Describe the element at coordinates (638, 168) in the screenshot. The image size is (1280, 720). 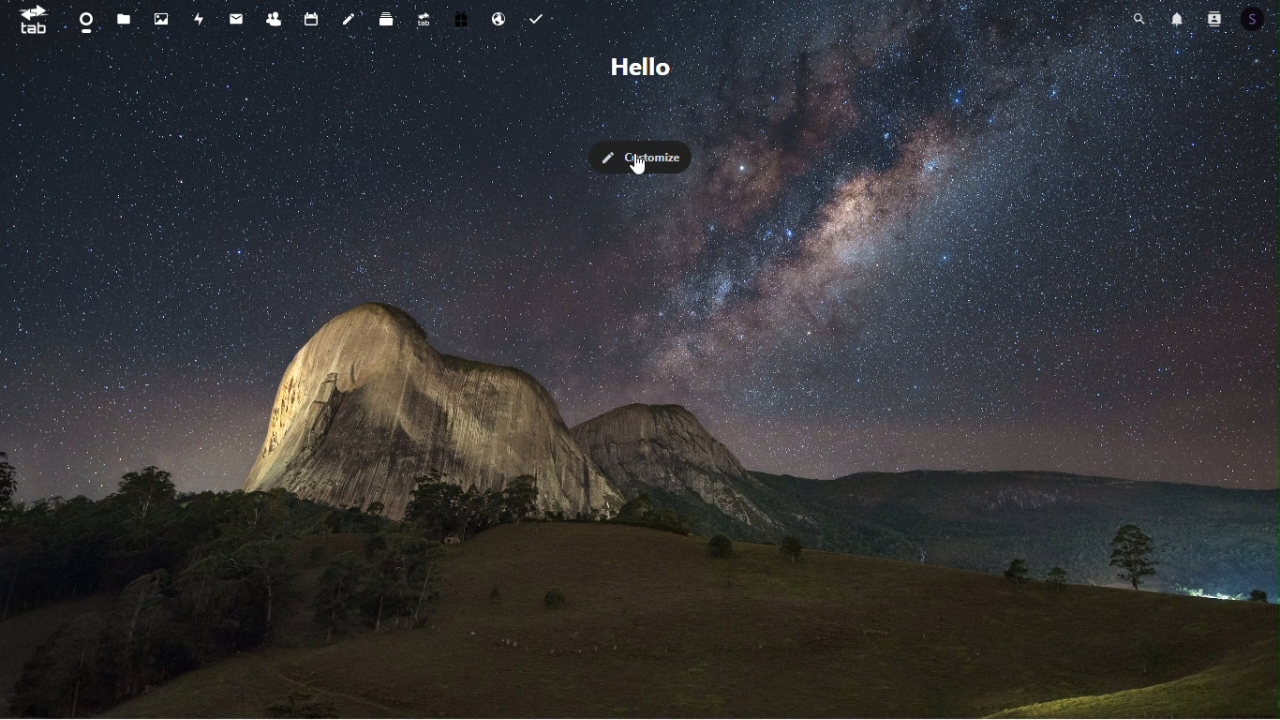
I see `Cursor` at that location.